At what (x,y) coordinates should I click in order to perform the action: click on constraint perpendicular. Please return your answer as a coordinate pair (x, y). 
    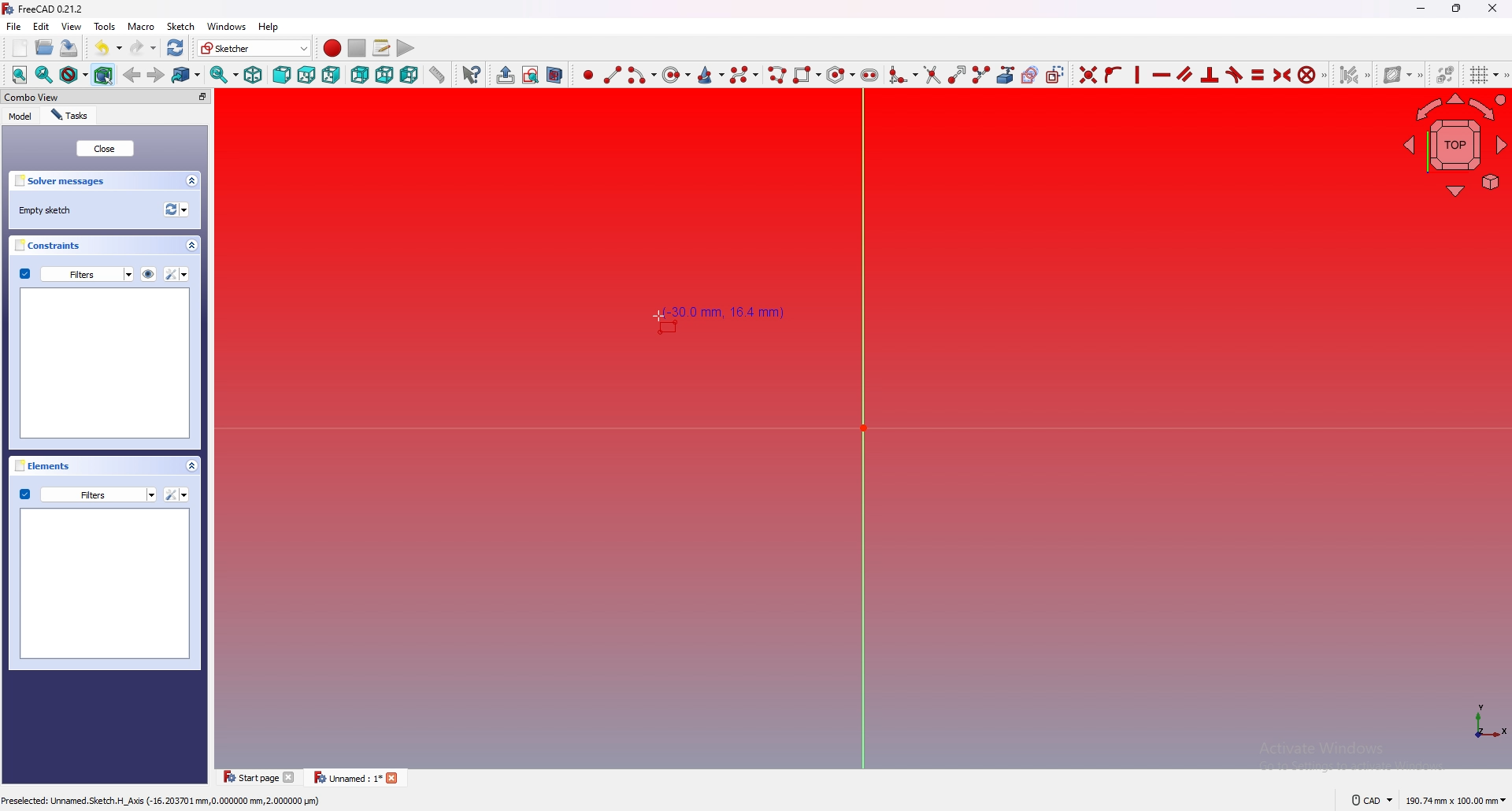
    Looking at the image, I should click on (1210, 74).